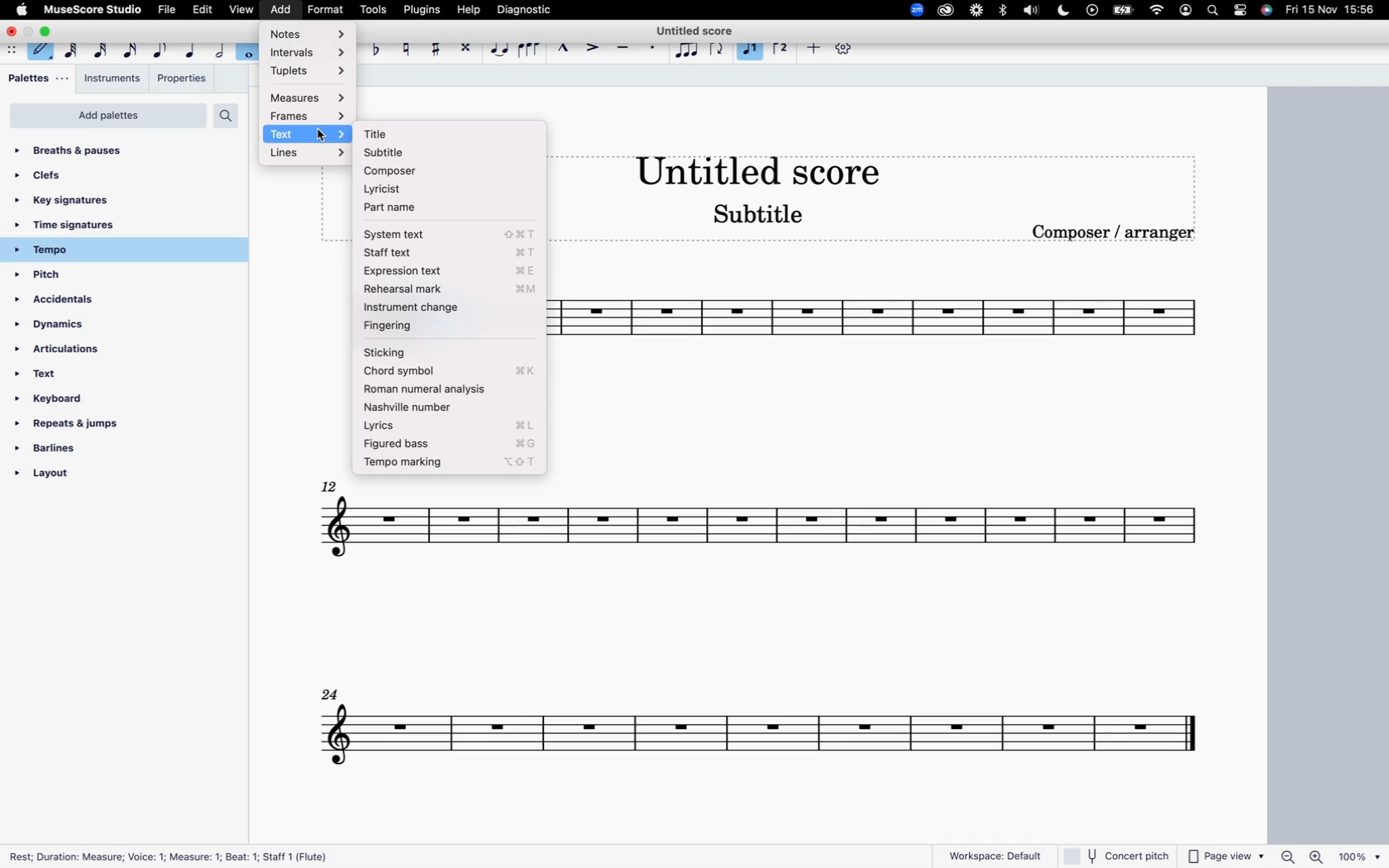 The height and width of the screenshot is (868, 1389). What do you see at coordinates (718, 47) in the screenshot?
I see `flip direction` at bounding box center [718, 47].